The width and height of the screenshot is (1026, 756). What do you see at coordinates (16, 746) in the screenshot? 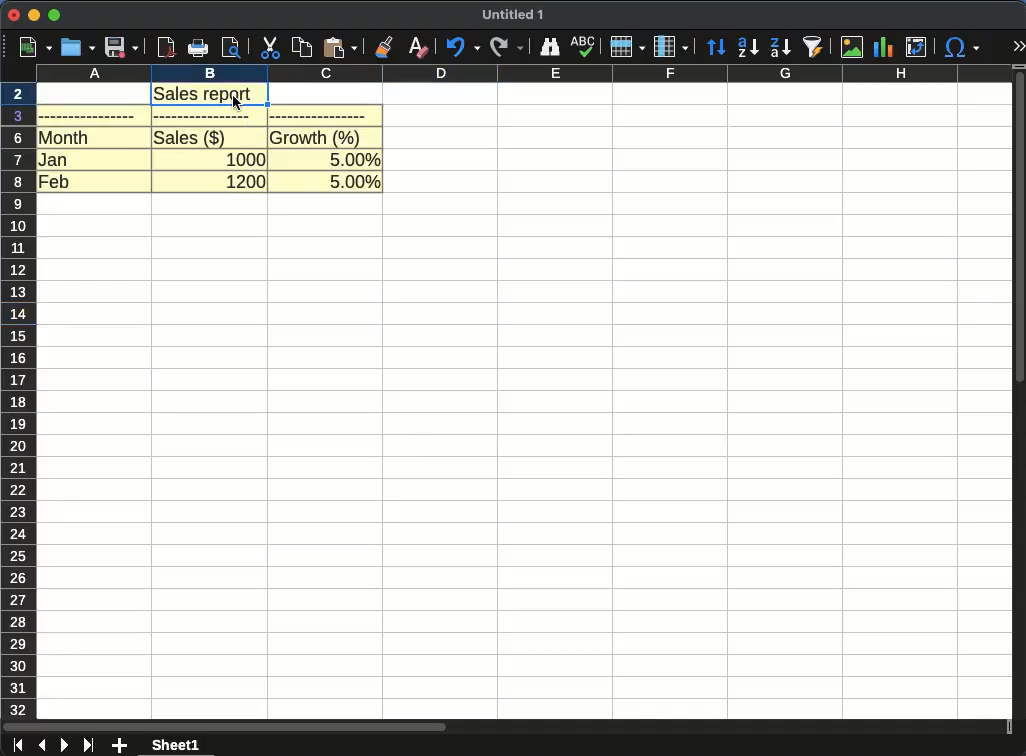
I see `first sheet` at bounding box center [16, 746].